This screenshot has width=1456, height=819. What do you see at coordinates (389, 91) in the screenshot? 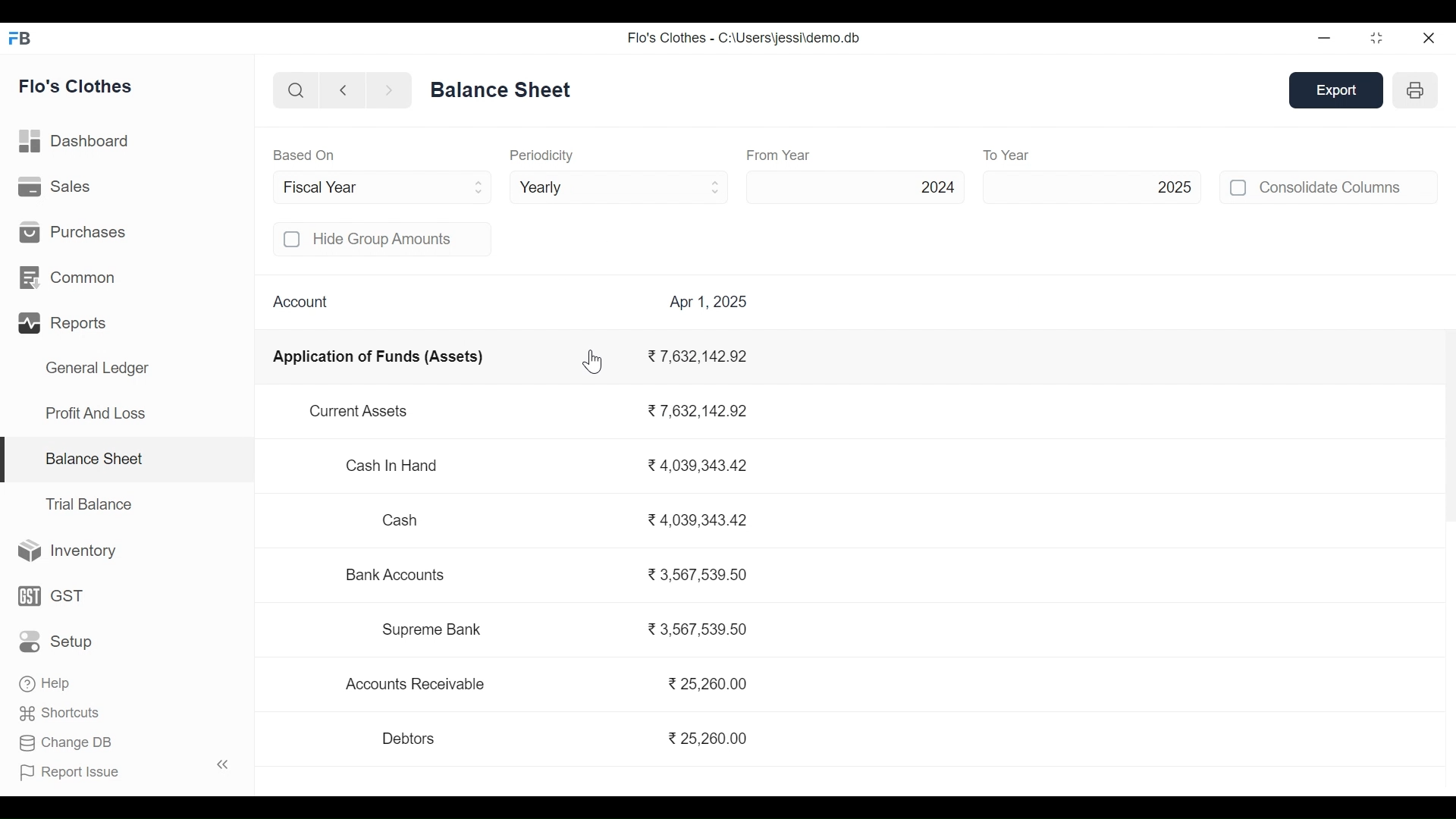
I see `forward` at bounding box center [389, 91].